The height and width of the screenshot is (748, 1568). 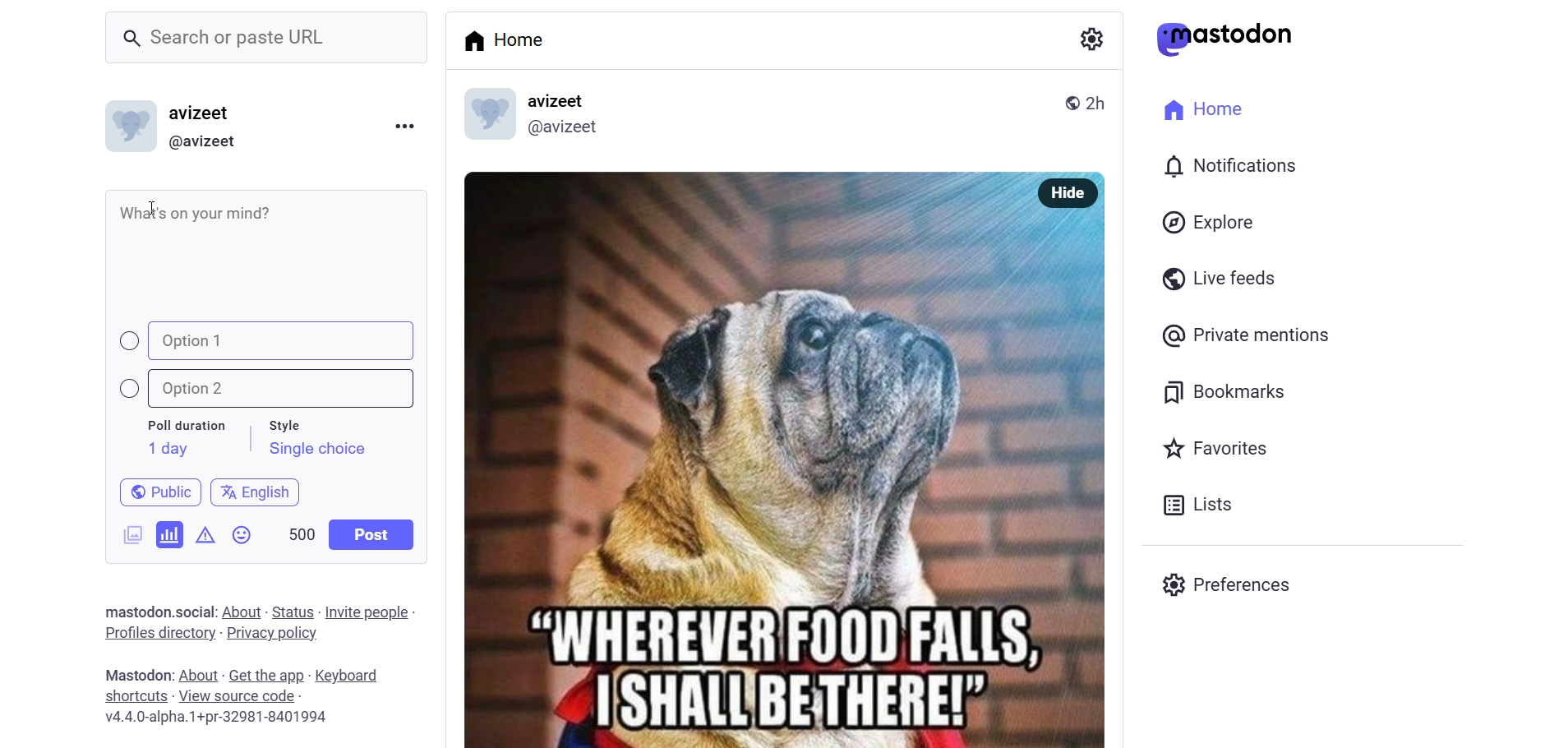 I want to click on explore, so click(x=1211, y=222).